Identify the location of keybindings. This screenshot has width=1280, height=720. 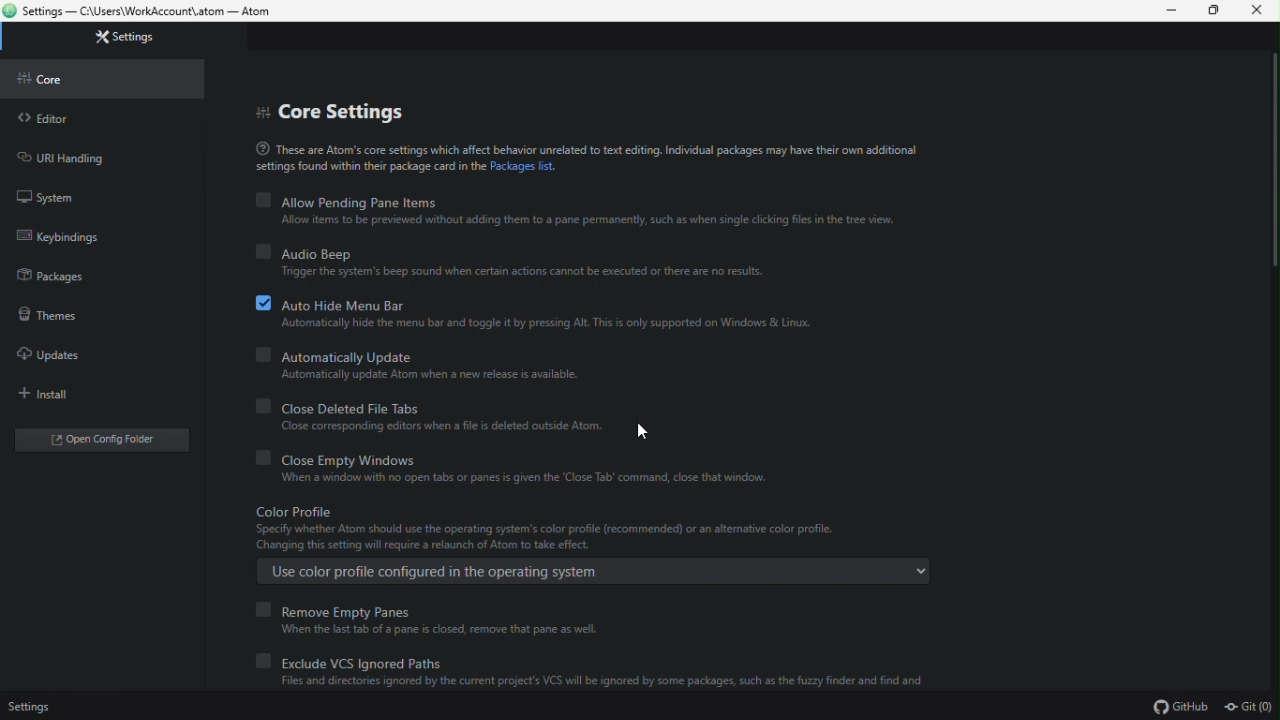
(94, 239).